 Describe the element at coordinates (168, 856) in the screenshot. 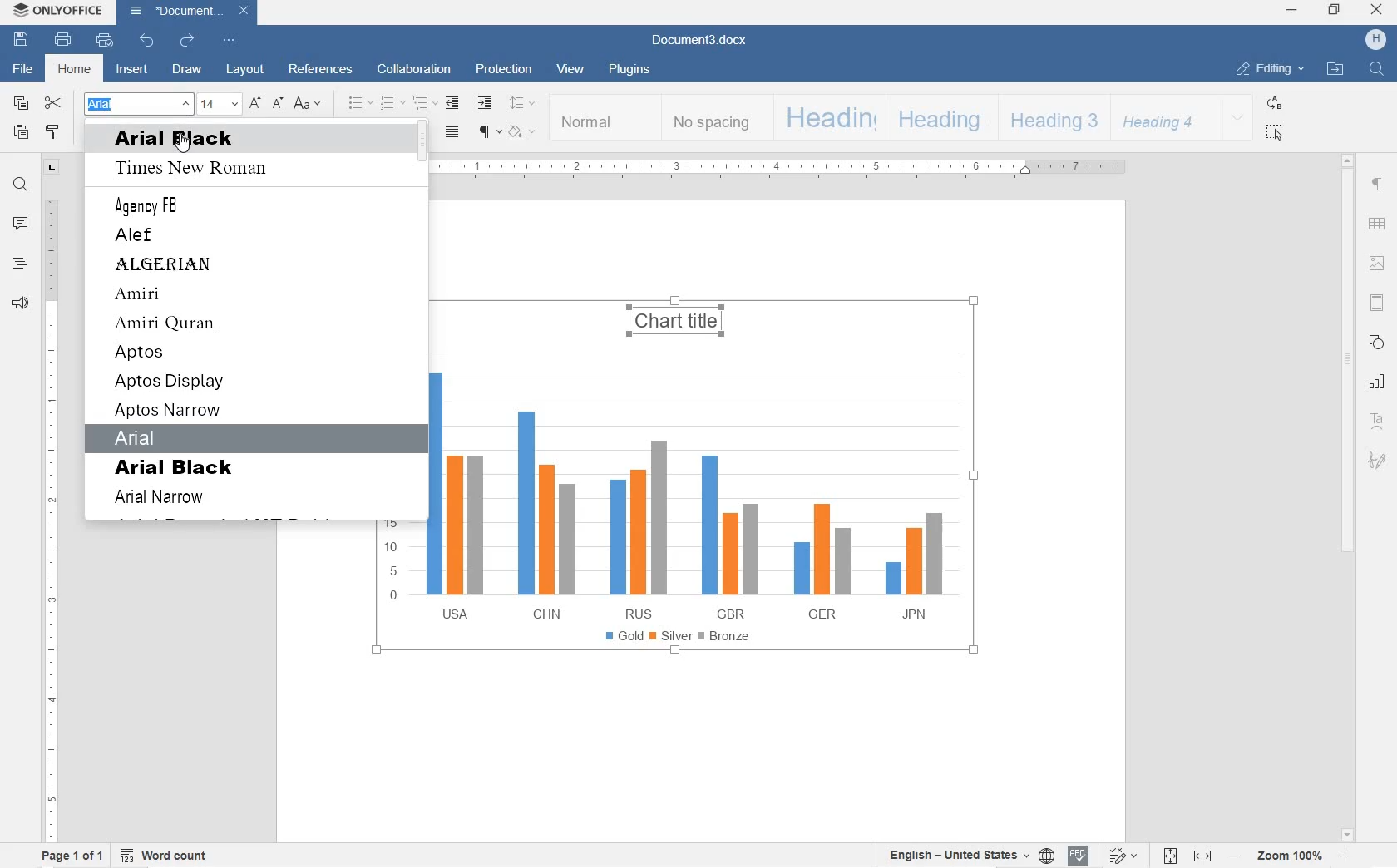

I see `WORD COUNT` at that location.